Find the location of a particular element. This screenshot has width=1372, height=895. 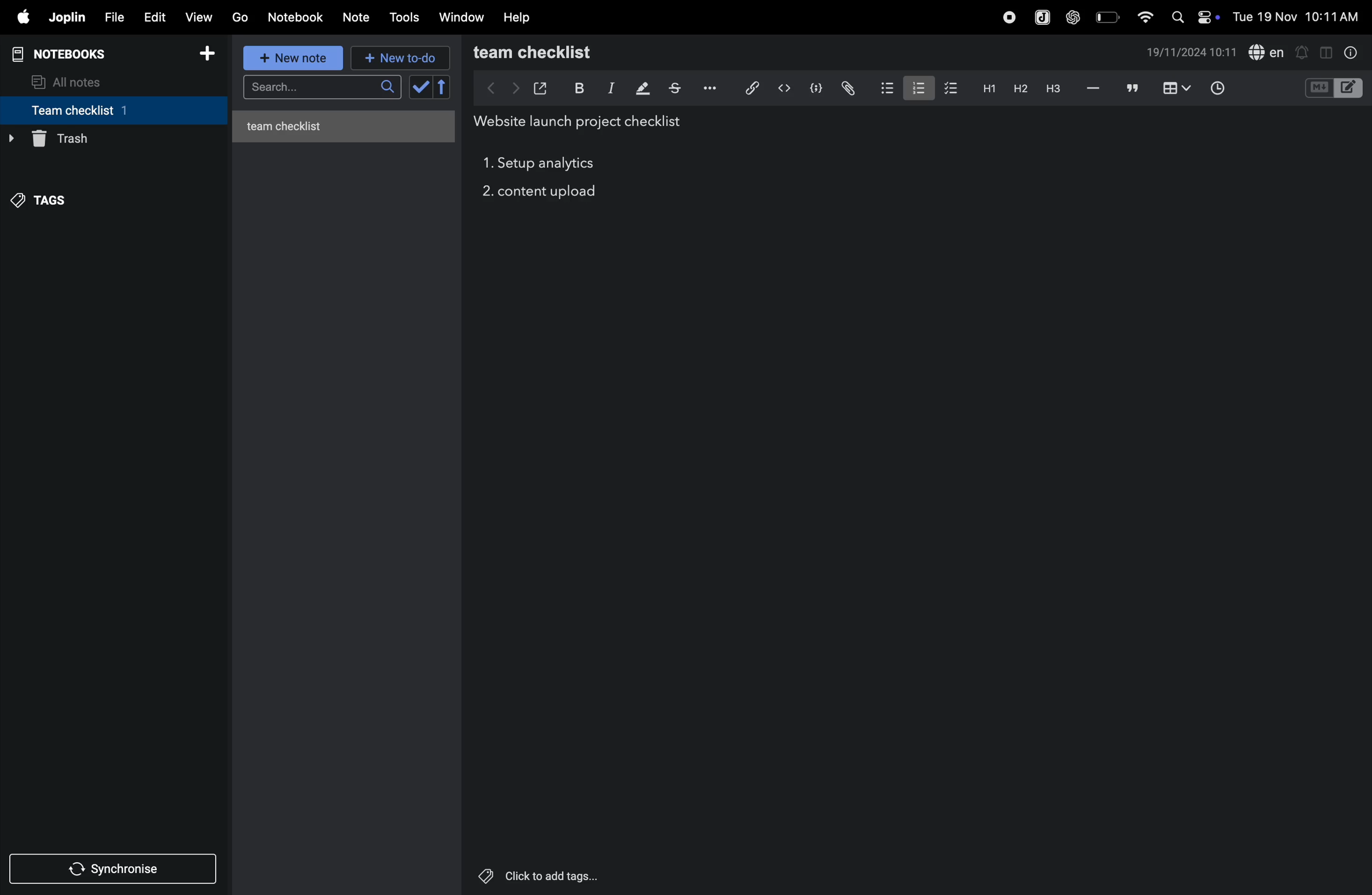

time is located at coordinates (1219, 87).